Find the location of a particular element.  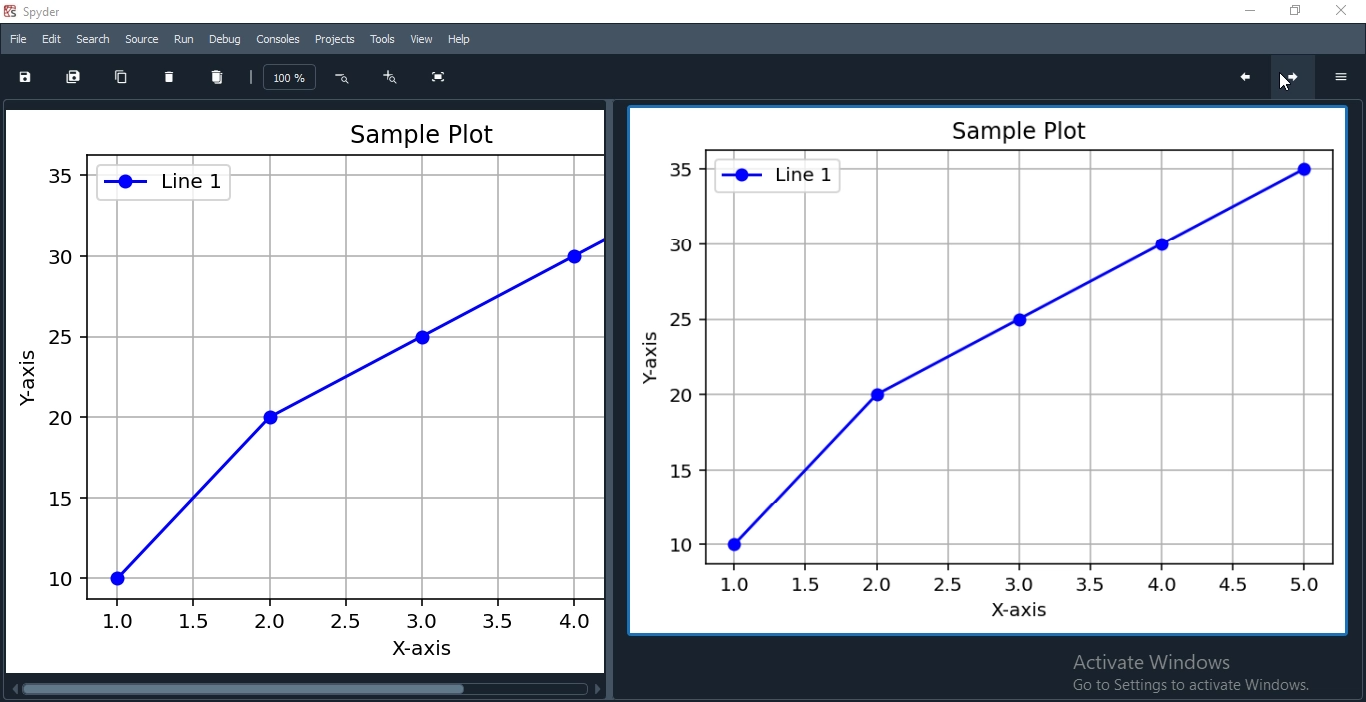

next chart is located at coordinates (1297, 79).